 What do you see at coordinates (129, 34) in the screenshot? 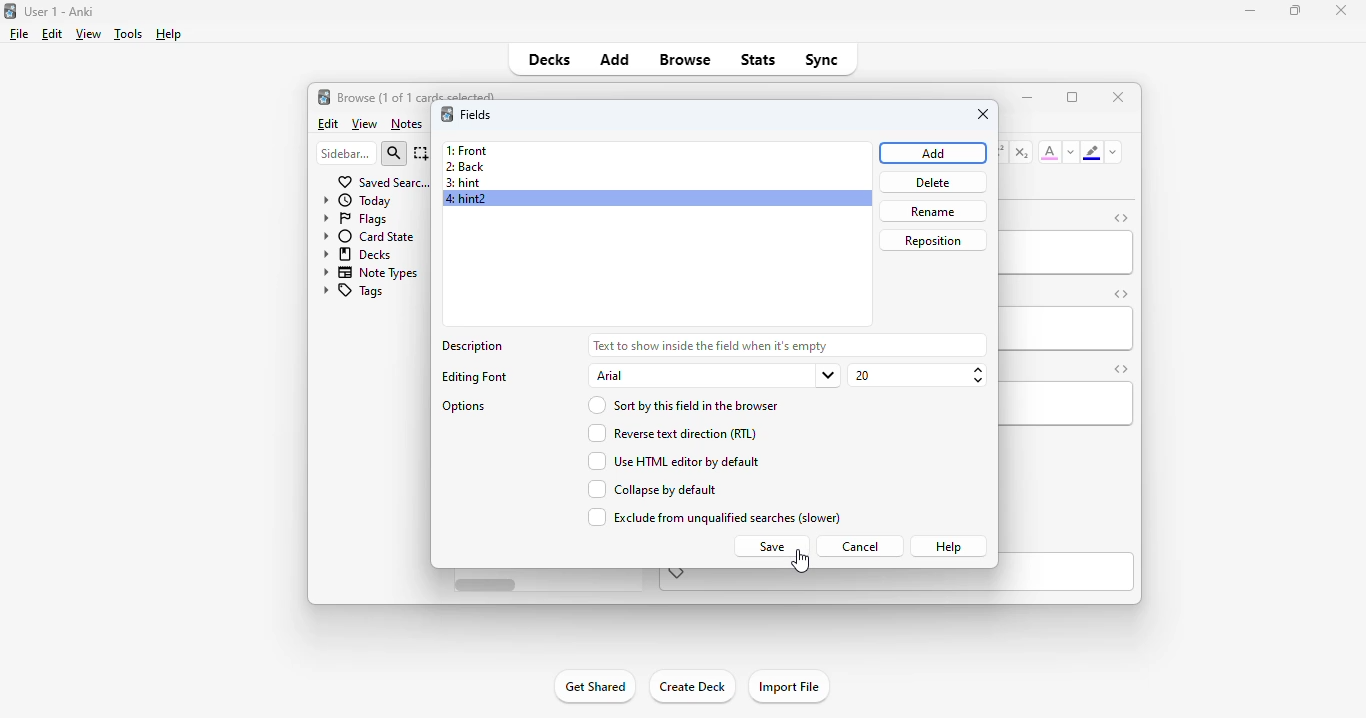
I see `tools` at bounding box center [129, 34].